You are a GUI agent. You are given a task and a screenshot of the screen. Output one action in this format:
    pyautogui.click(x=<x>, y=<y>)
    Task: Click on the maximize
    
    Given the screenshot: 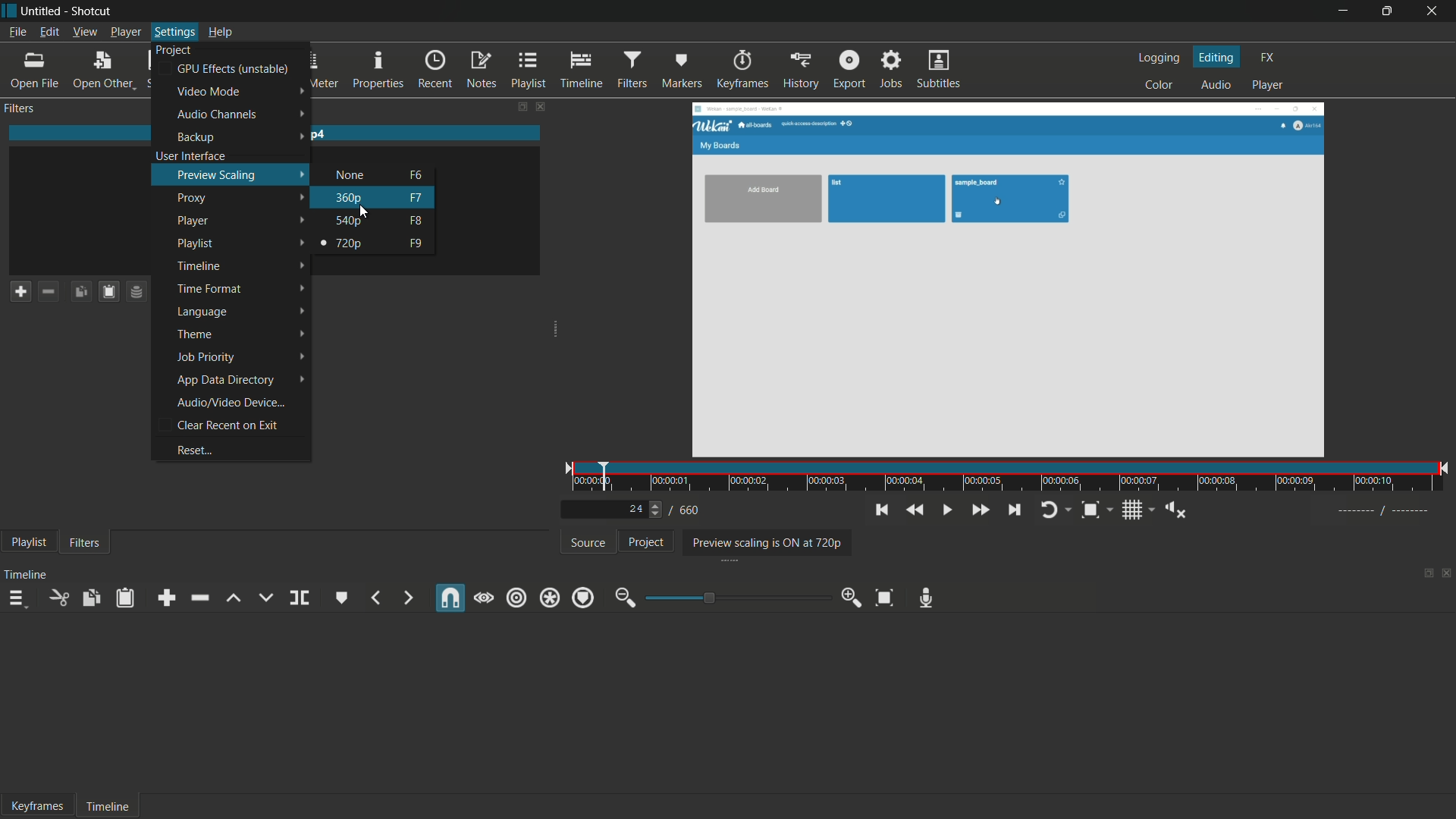 What is the action you would take?
    pyautogui.click(x=1387, y=11)
    